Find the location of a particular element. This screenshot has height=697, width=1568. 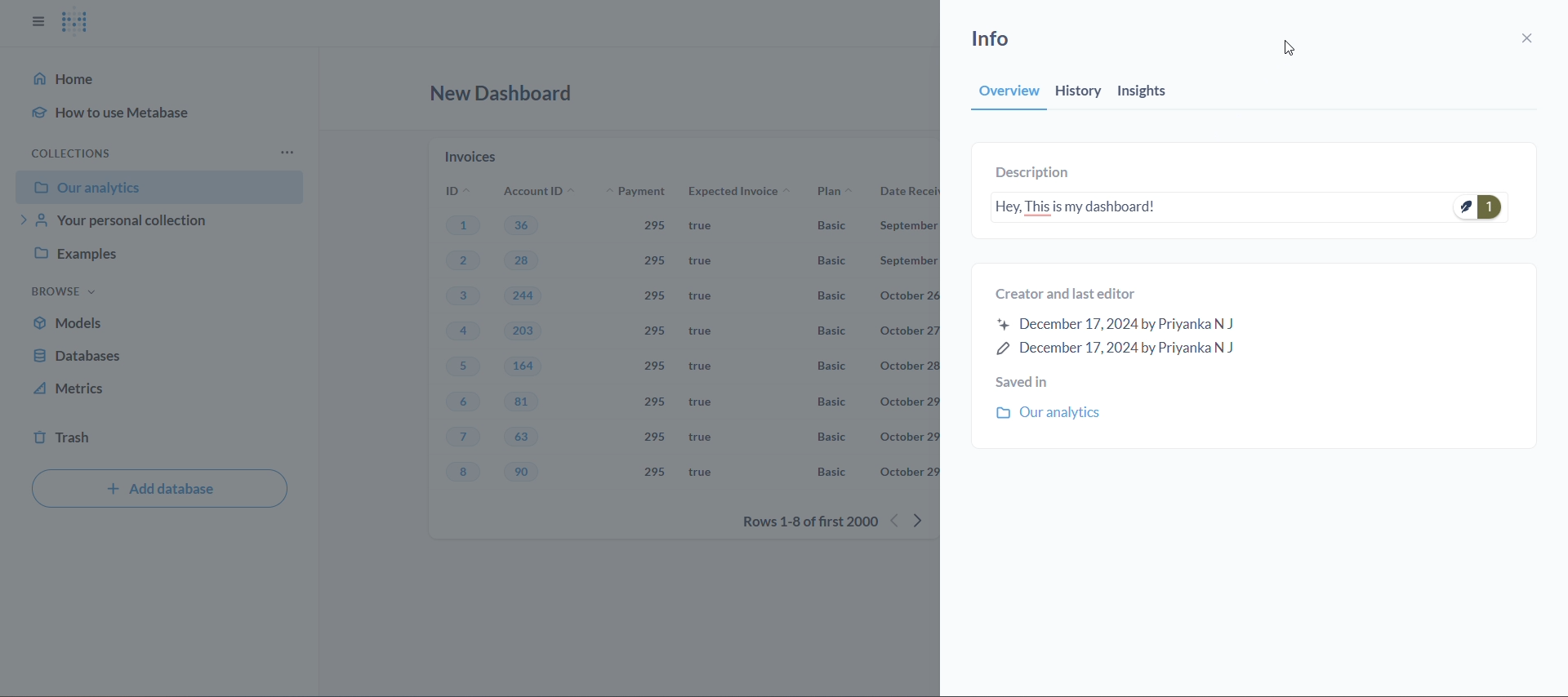

true is located at coordinates (708, 228).